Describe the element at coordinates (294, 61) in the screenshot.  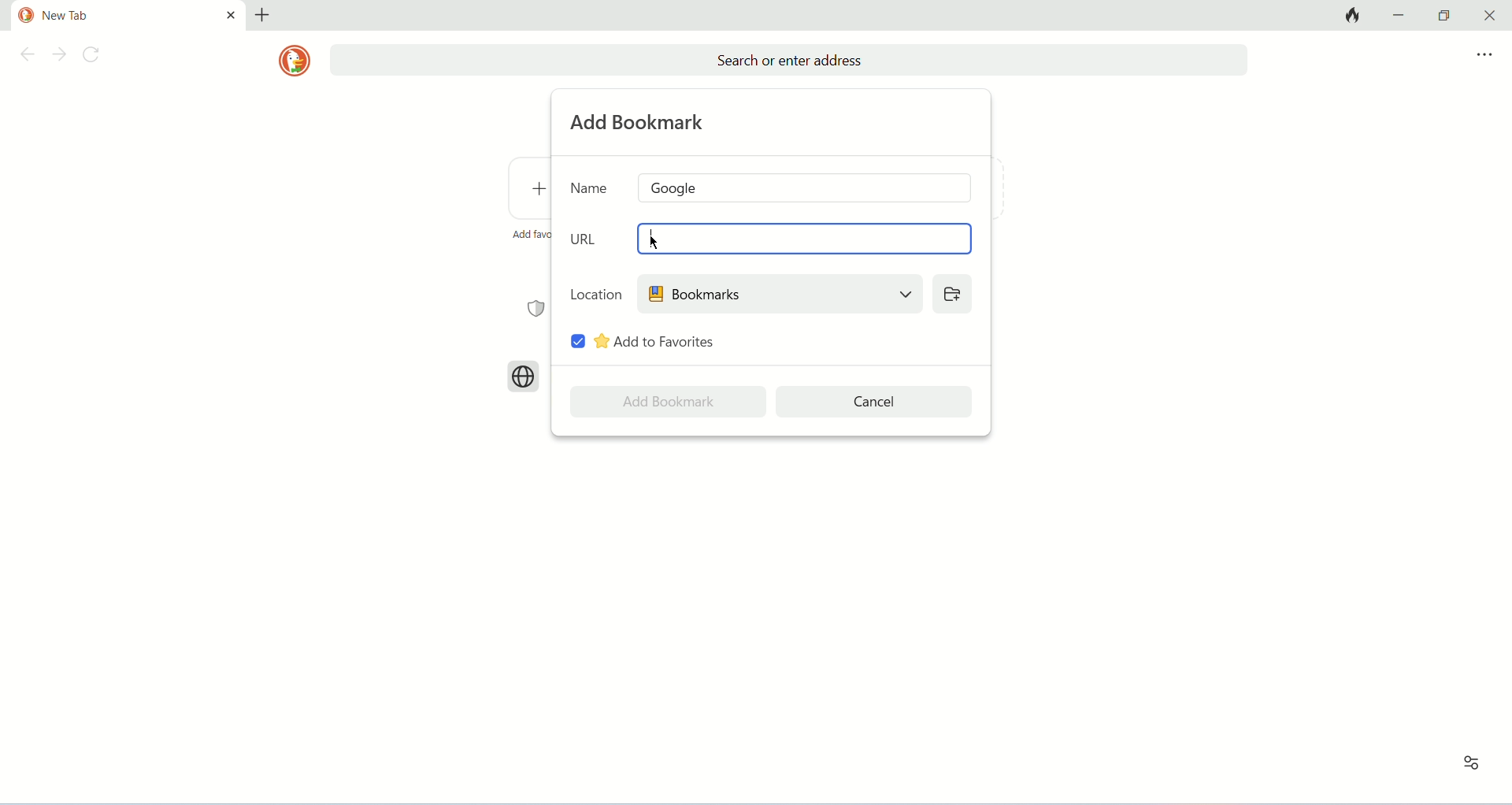
I see `logo` at that location.